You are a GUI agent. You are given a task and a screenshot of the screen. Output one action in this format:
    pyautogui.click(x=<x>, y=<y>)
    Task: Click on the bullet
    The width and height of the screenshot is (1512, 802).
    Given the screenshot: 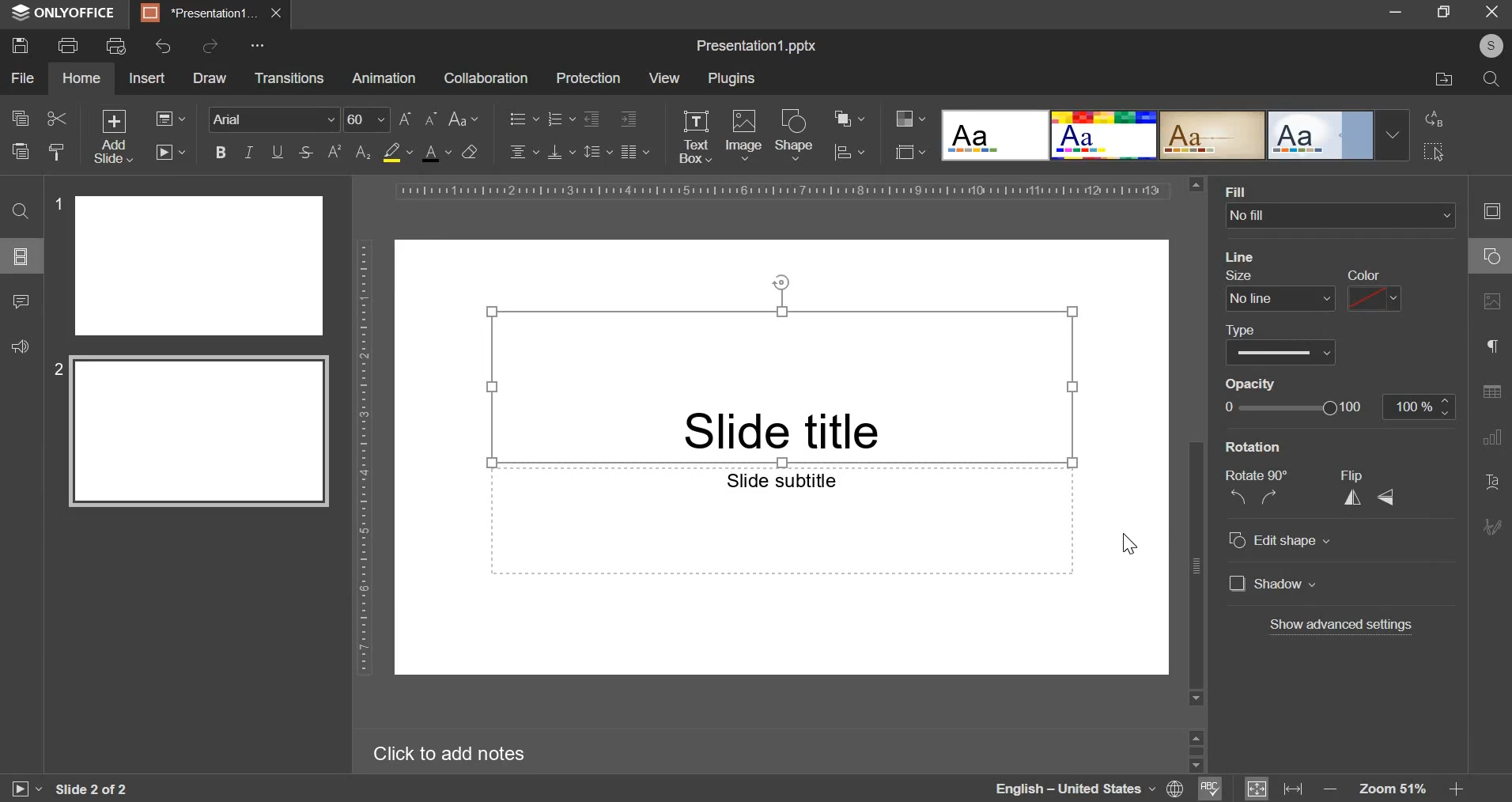 What is the action you would take?
    pyautogui.click(x=523, y=117)
    